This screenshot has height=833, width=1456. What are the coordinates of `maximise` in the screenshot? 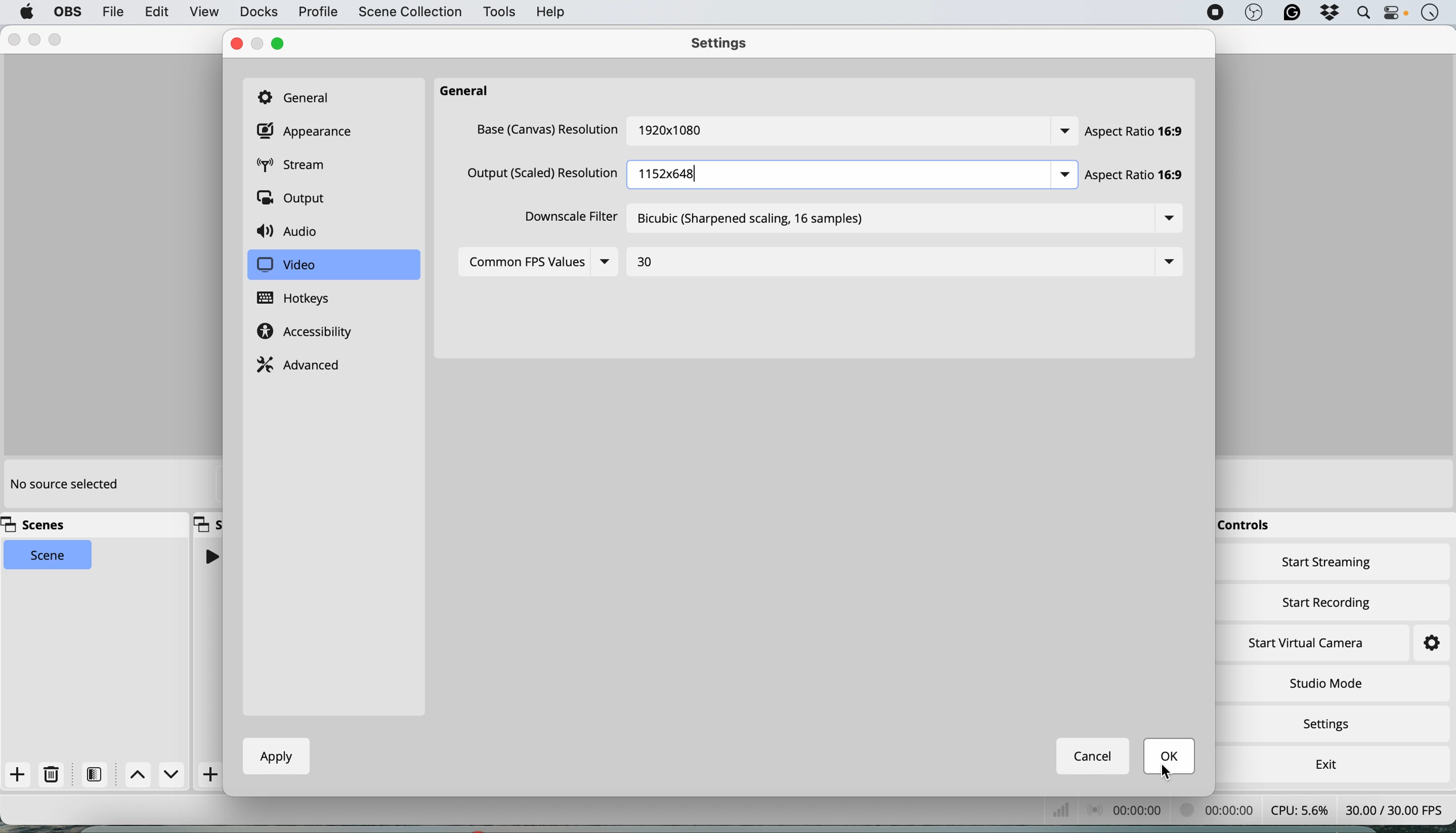 It's located at (58, 39).